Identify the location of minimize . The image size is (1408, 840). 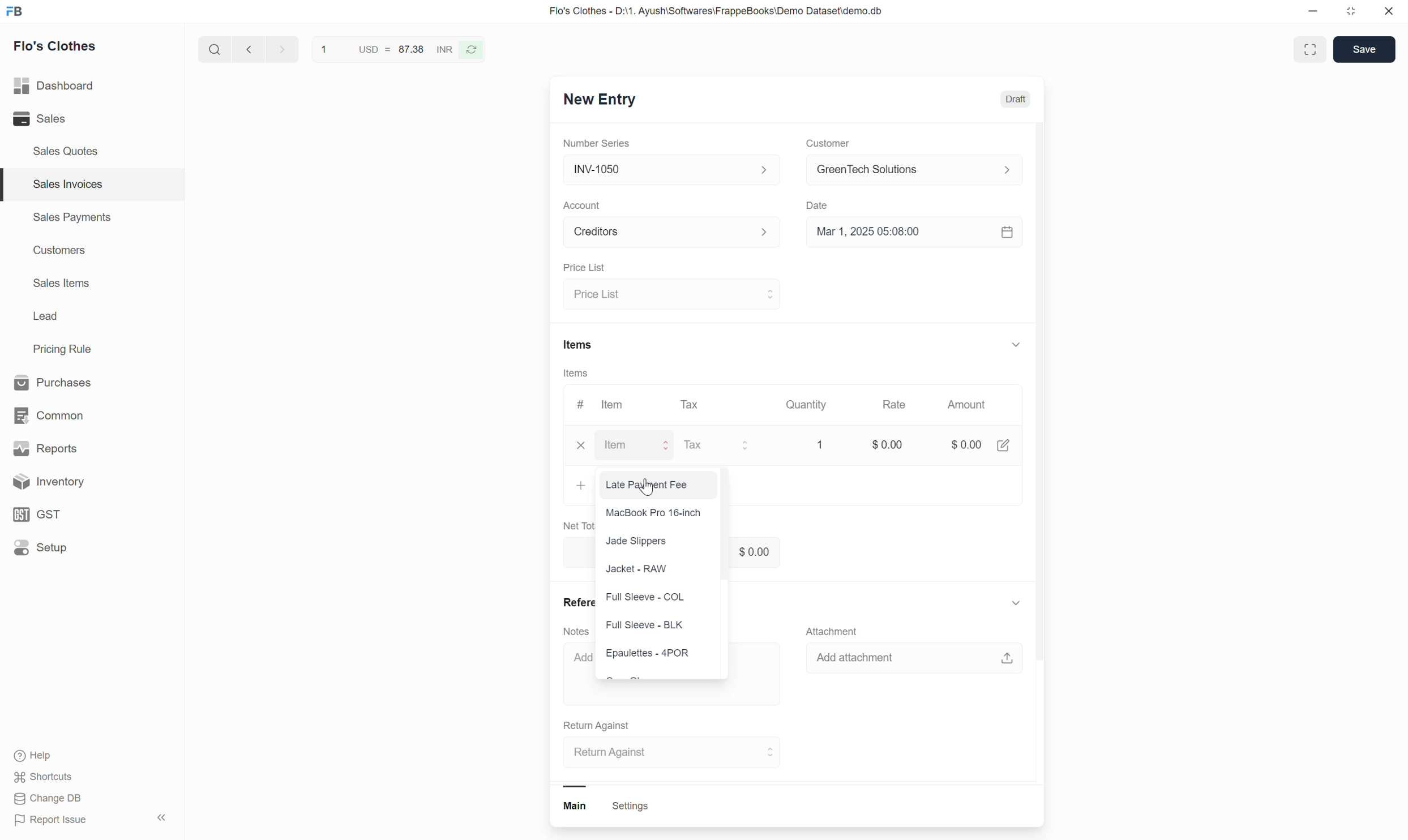
(1318, 12).